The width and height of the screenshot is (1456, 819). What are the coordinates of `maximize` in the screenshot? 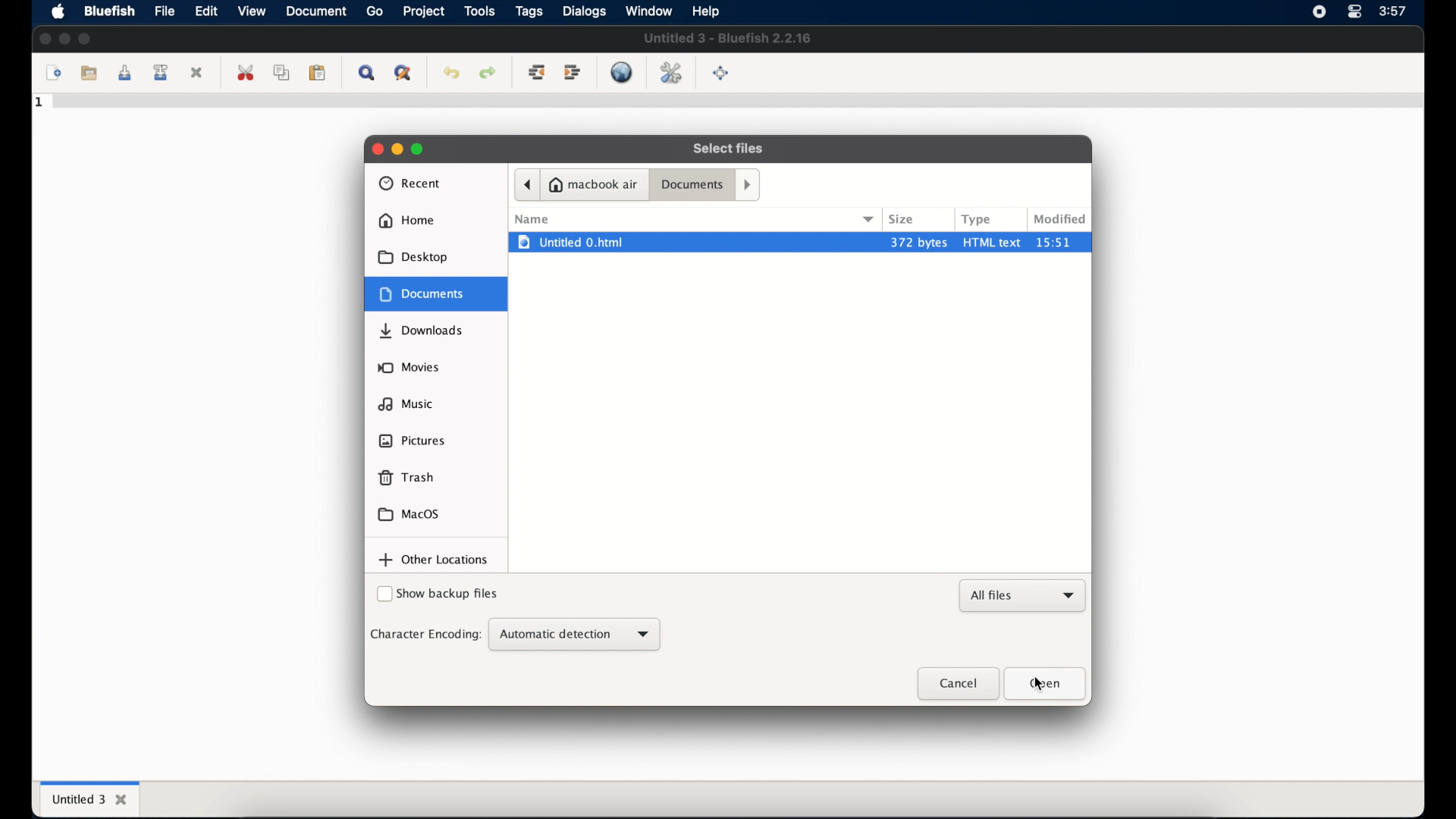 It's located at (419, 149).